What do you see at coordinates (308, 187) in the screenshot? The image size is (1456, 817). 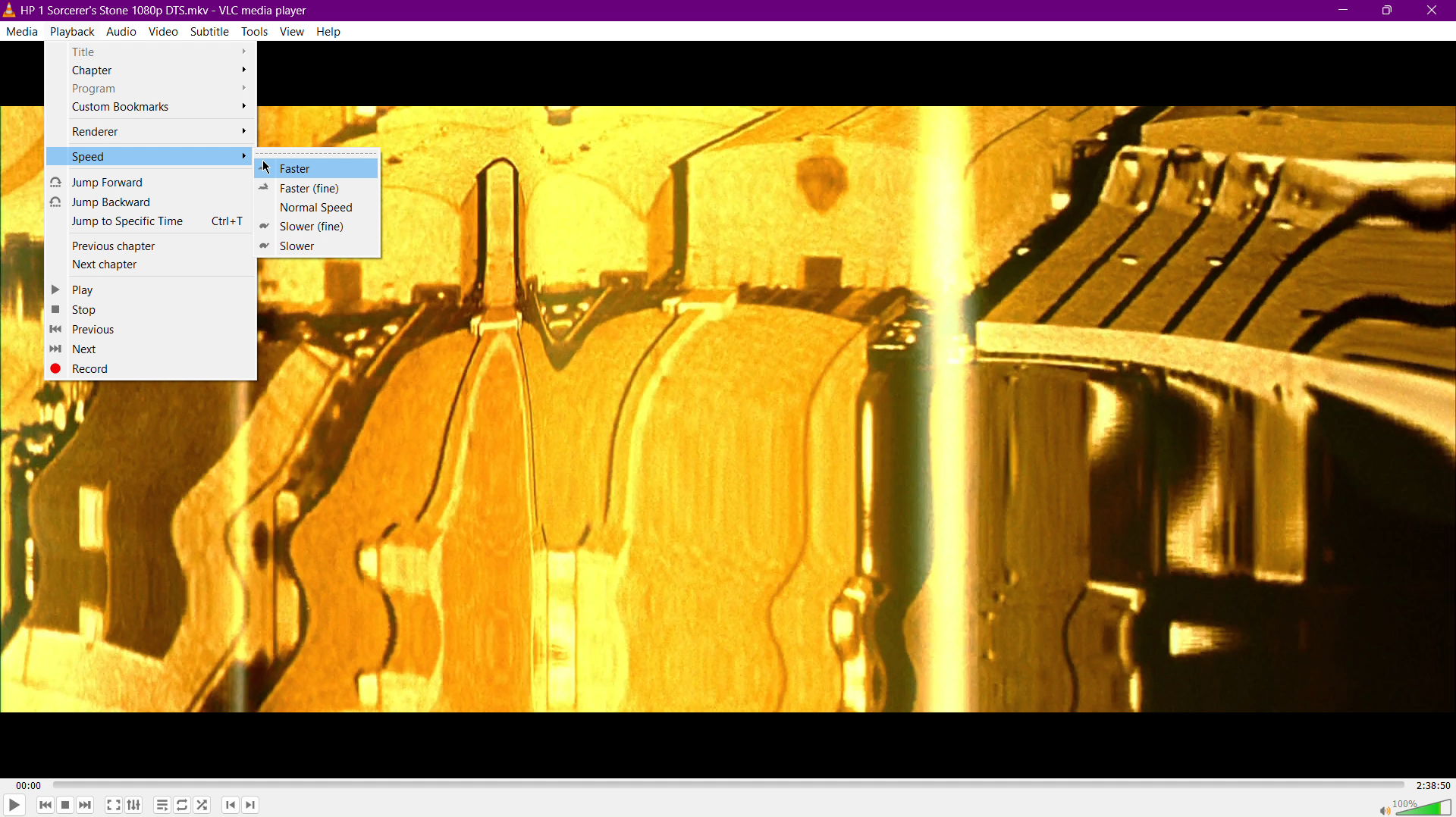 I see `Faster (fine)` at bounding box center [308, 187].